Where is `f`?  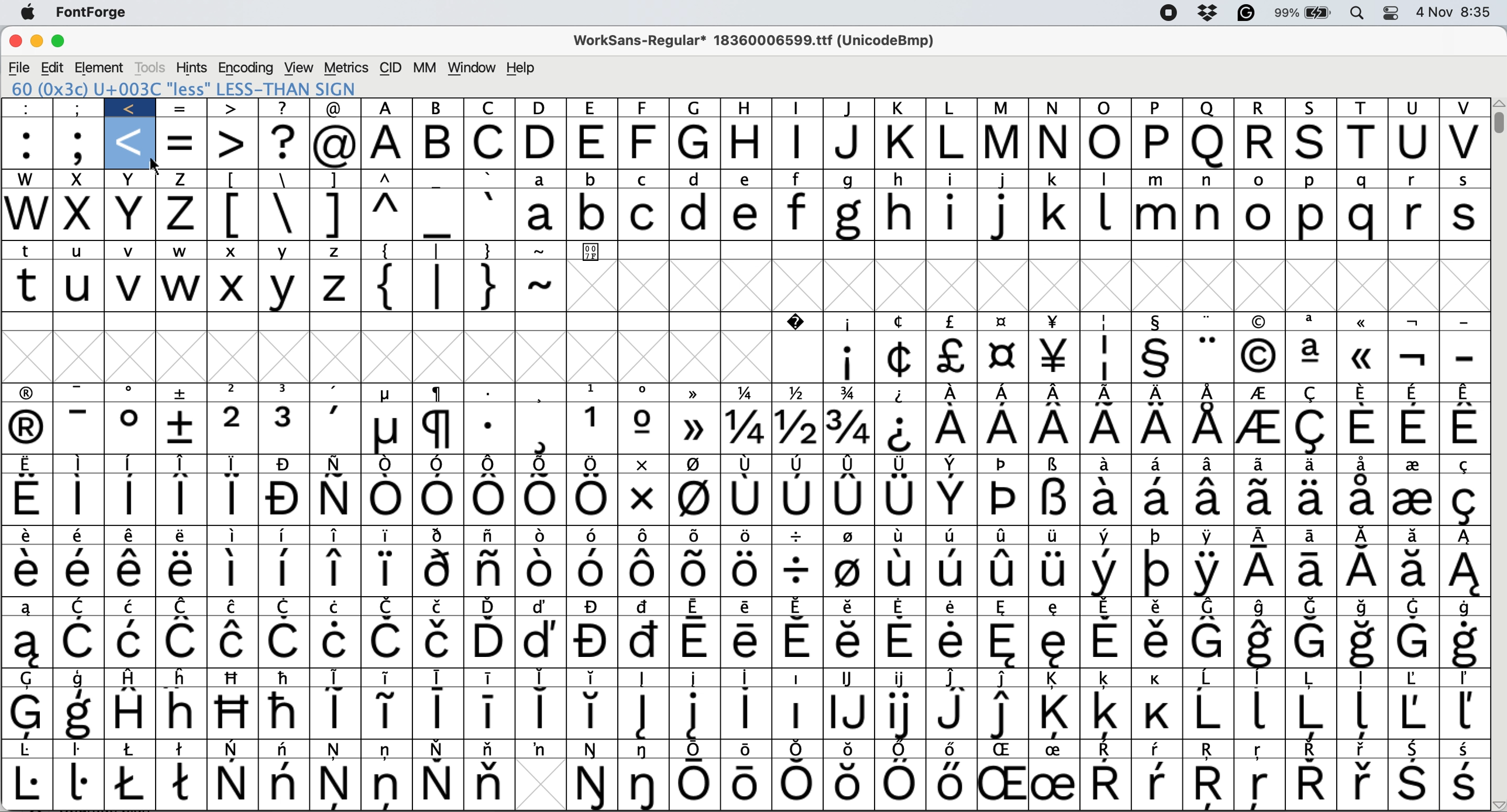
f is located at coordinates (793, 179).